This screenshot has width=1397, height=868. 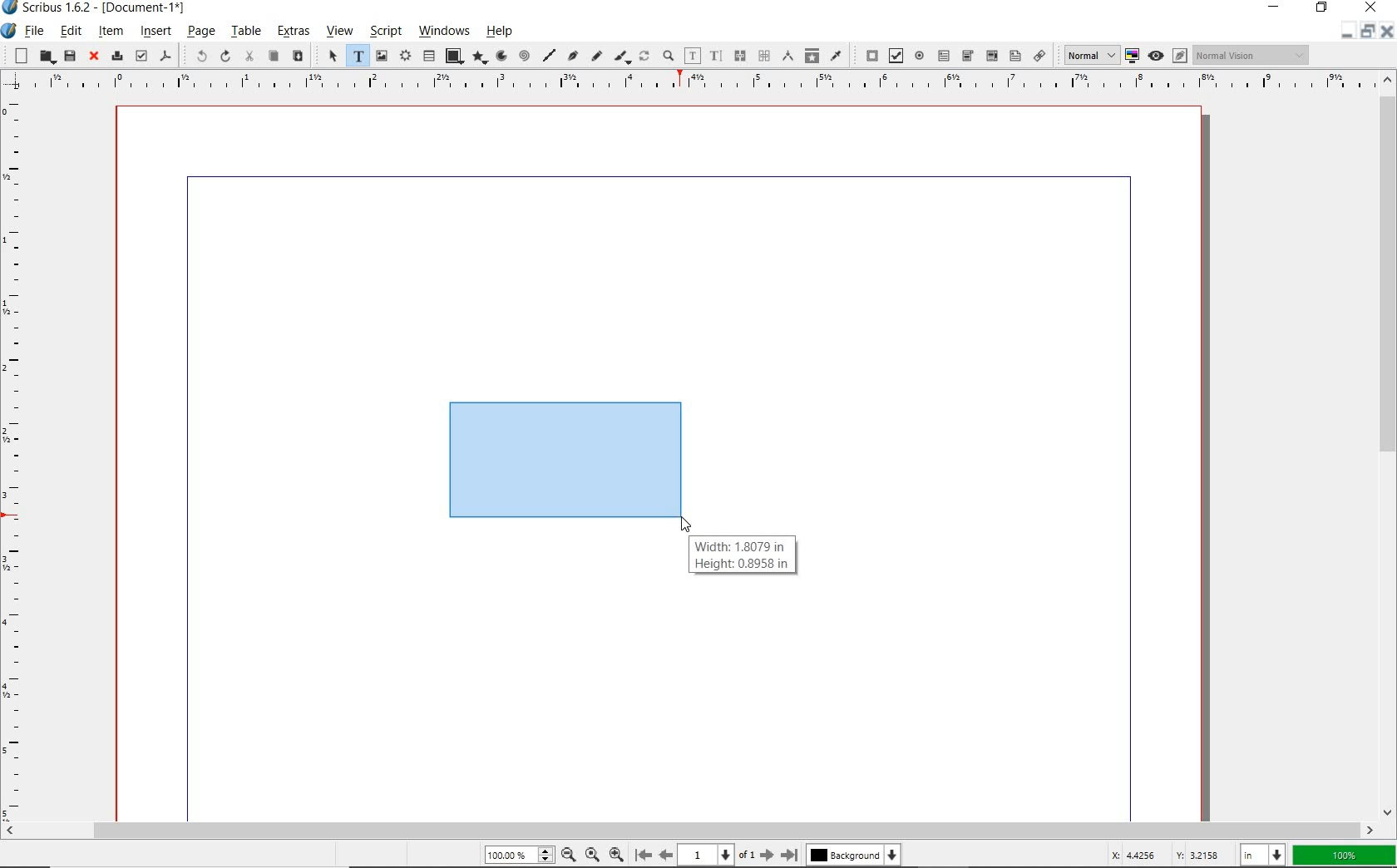 I want to click on redo, so click(x=225, y=56).